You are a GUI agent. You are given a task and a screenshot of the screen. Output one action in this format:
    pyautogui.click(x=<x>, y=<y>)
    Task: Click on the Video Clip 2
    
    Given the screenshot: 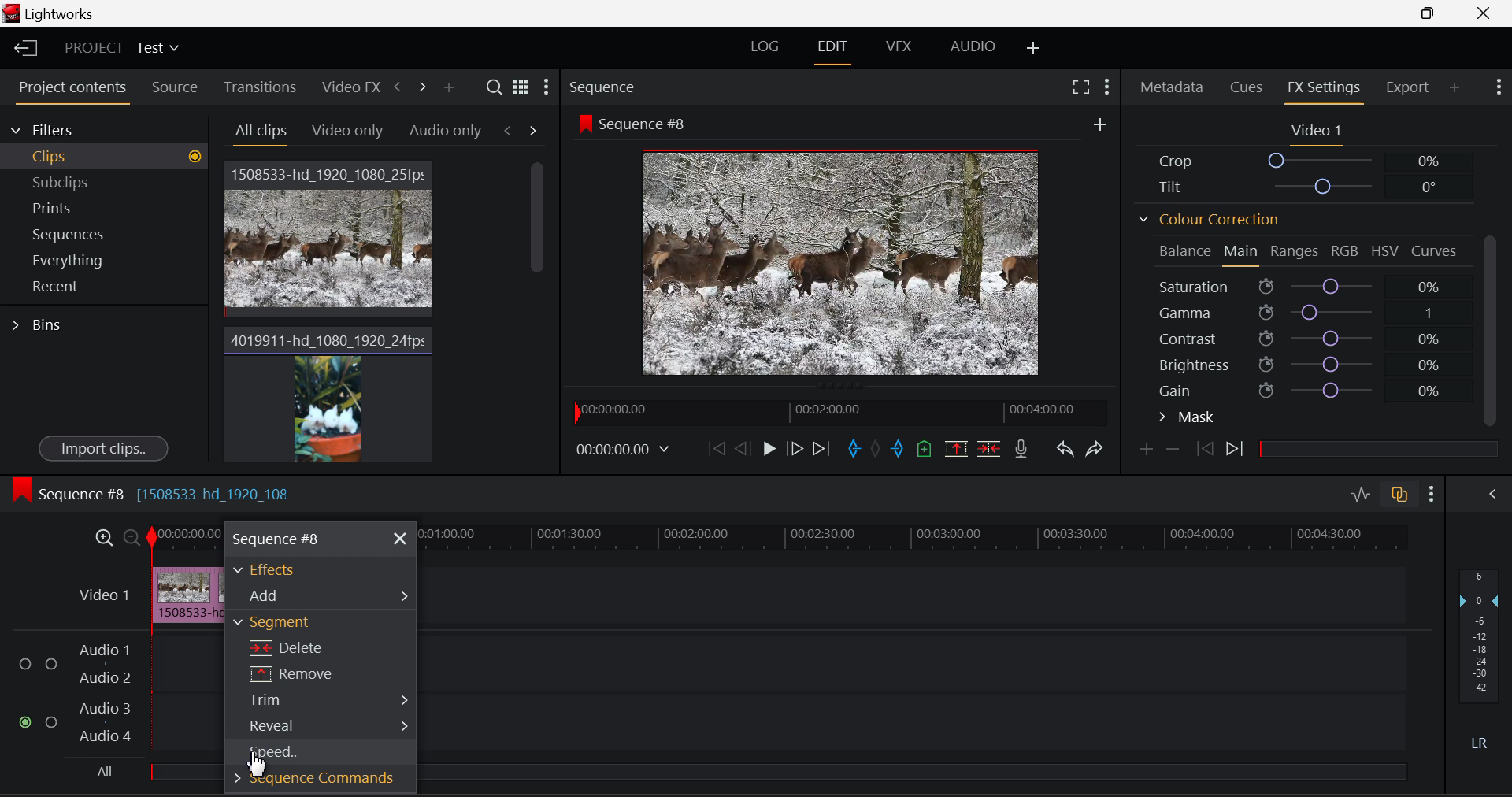 What is the action you would take?
    pyautogui.click(x=333, y=397)
    